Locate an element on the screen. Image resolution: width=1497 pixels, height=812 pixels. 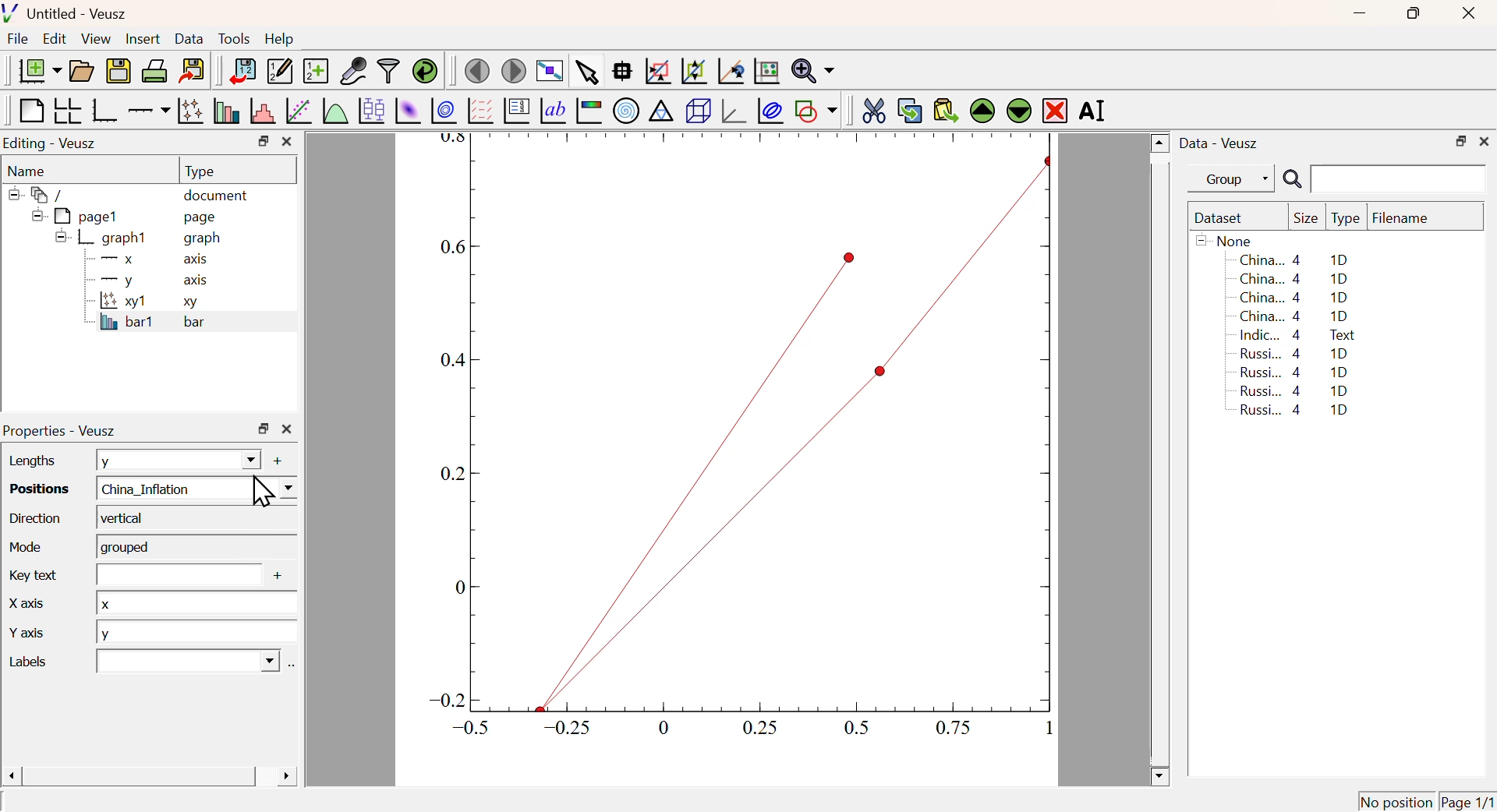
Graph is located at coordinates (737, 441).